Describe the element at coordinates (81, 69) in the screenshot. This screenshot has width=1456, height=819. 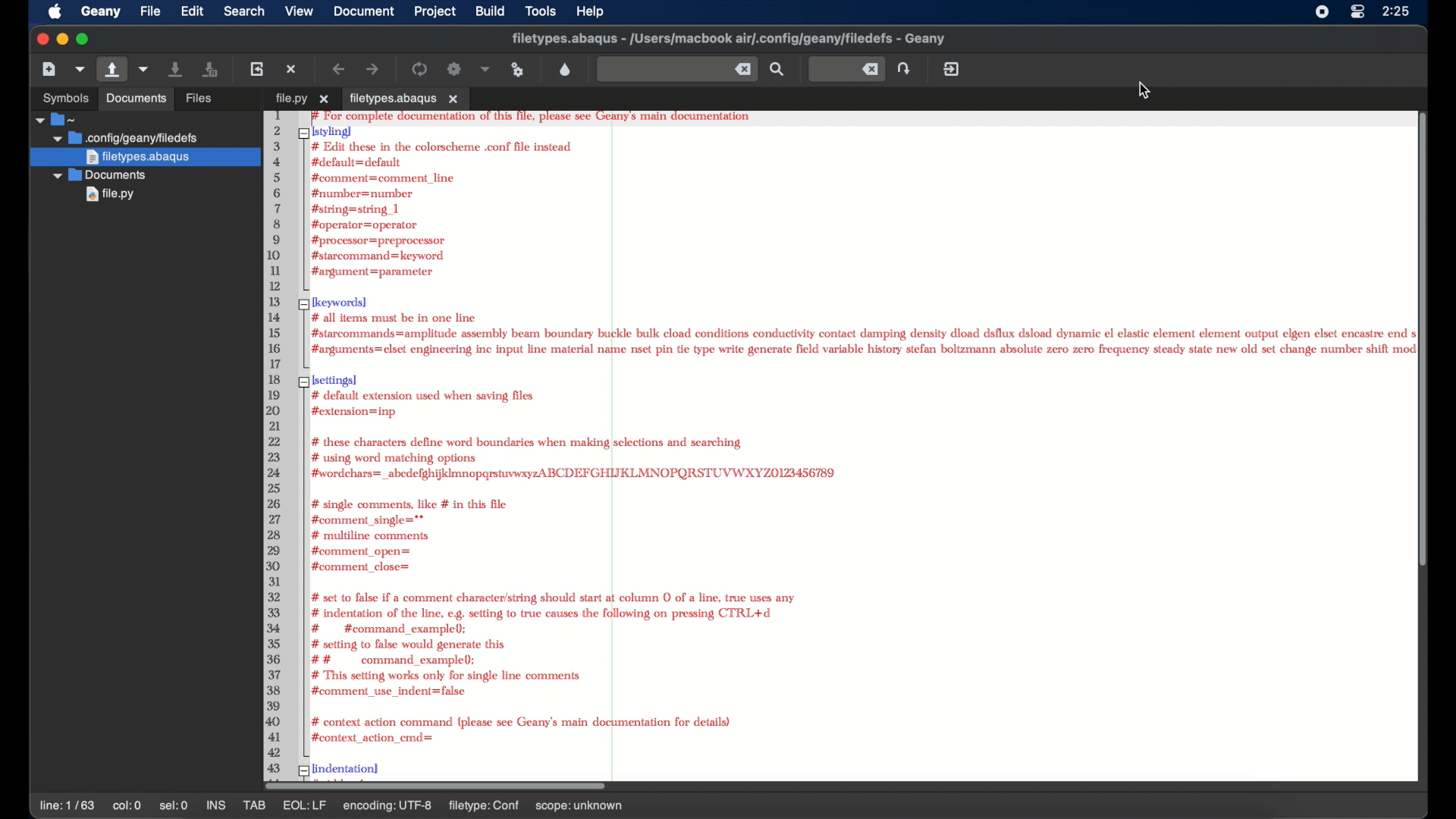
I see `create file from template` at that location.